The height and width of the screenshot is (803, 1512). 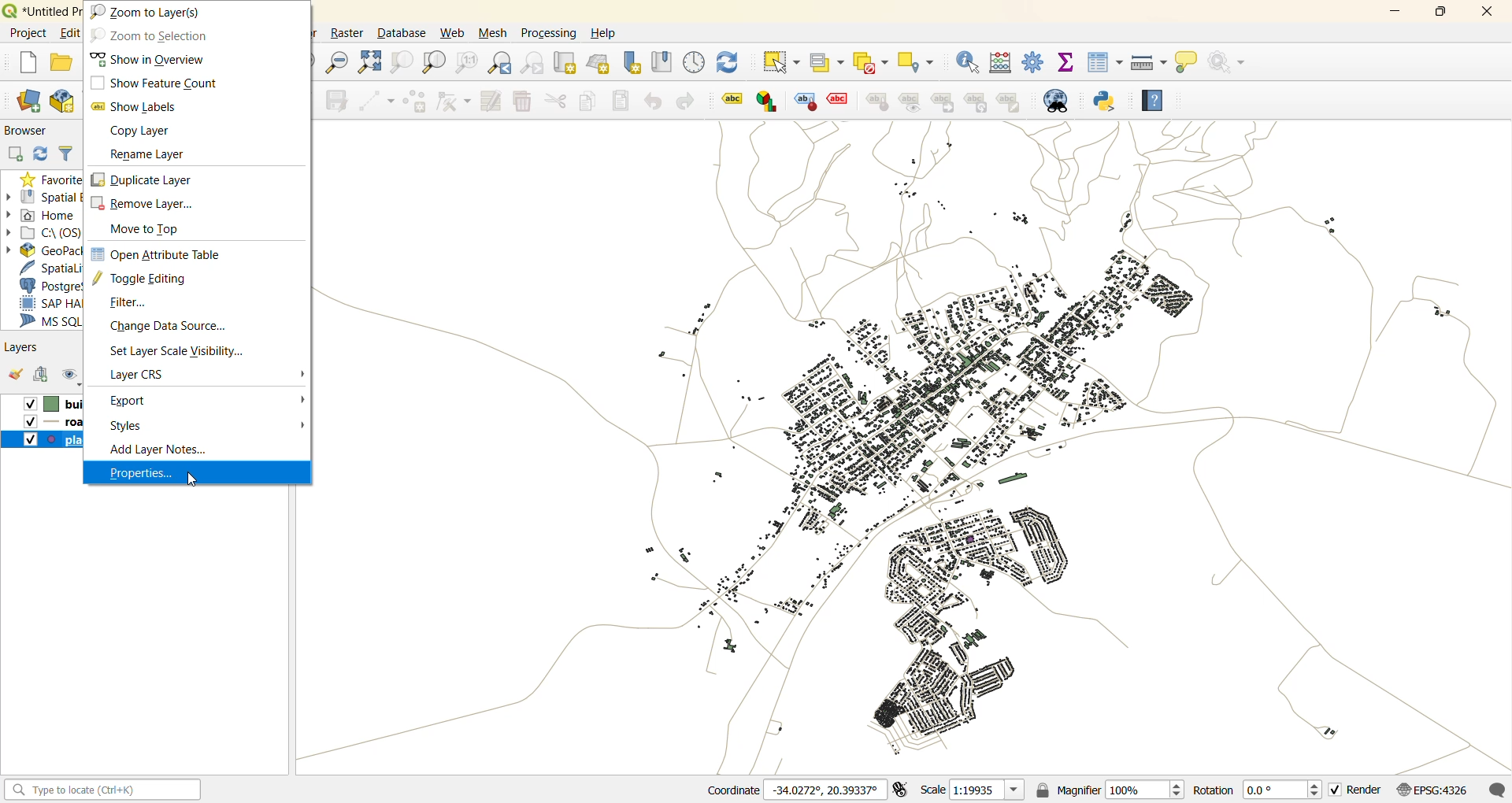 What do you see at coordinates (1002, 64) in the screenshot?
I see `calculator` at bounding box center [1002, 64].